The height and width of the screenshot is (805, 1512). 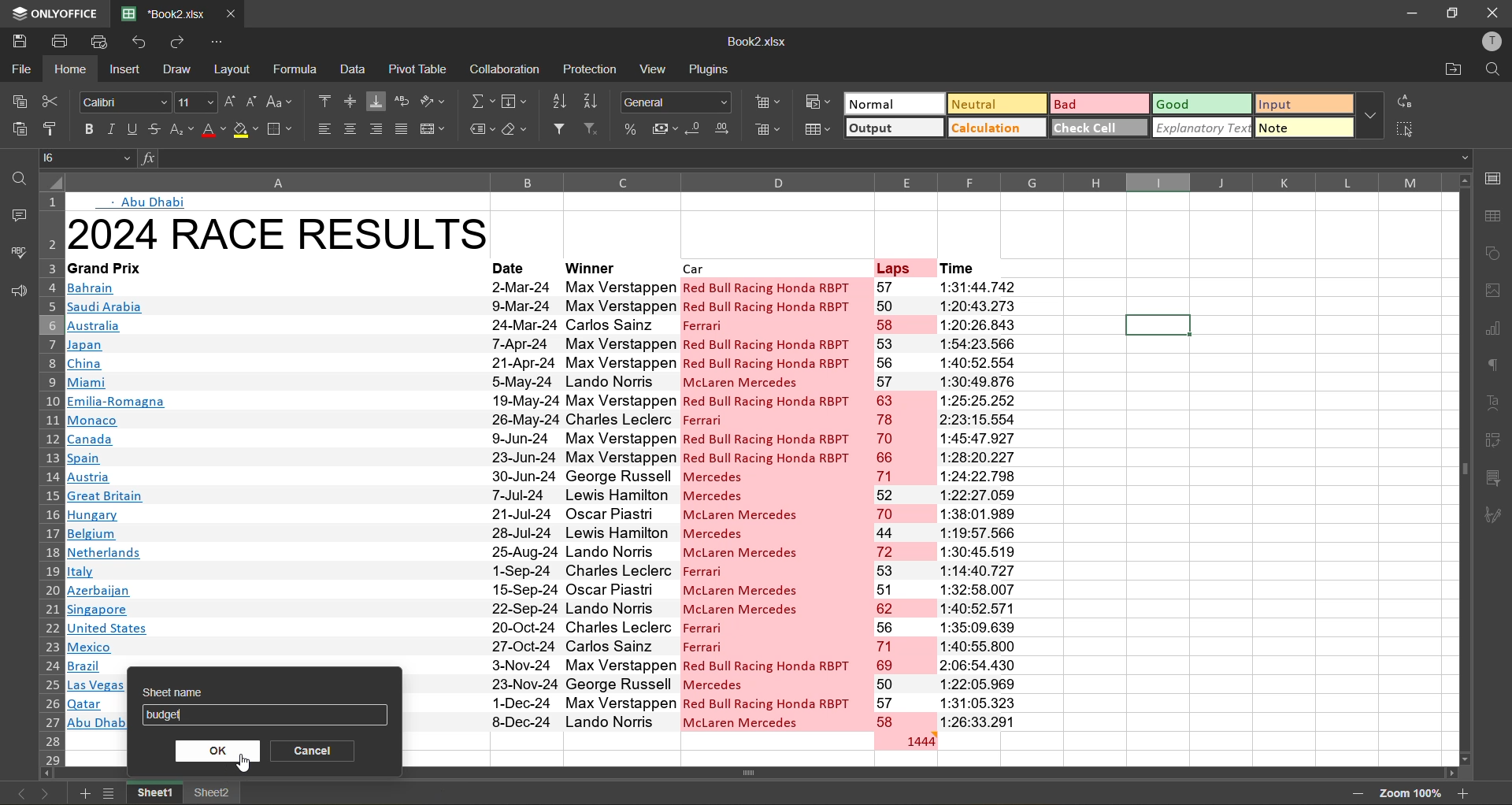 What do you see at coordinates (212, 130) in the screenshot?
I see `font color` at bounding box center [212, 130].